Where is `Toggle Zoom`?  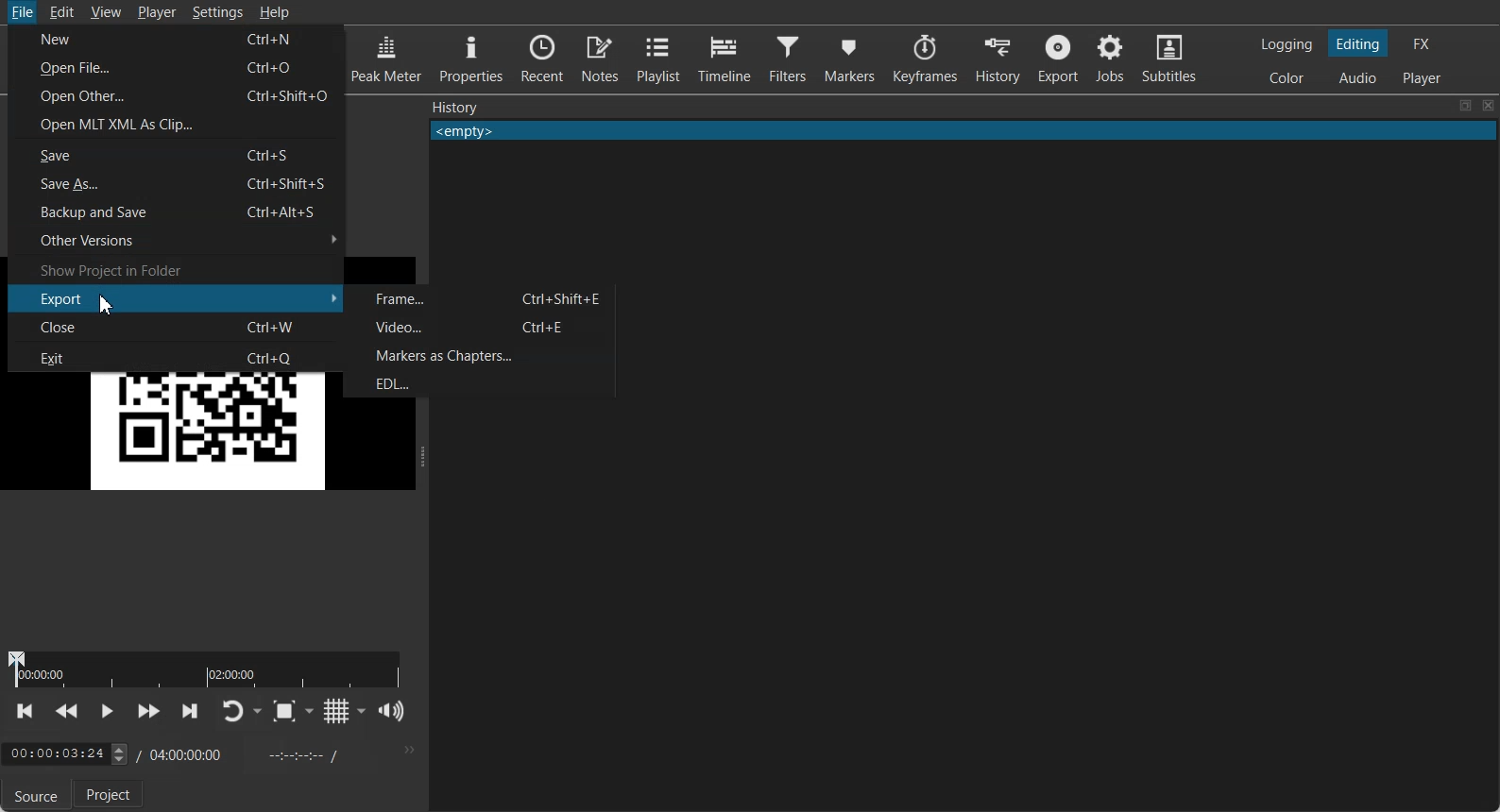 Toggle Zoom is located at coordinates (284, 711).